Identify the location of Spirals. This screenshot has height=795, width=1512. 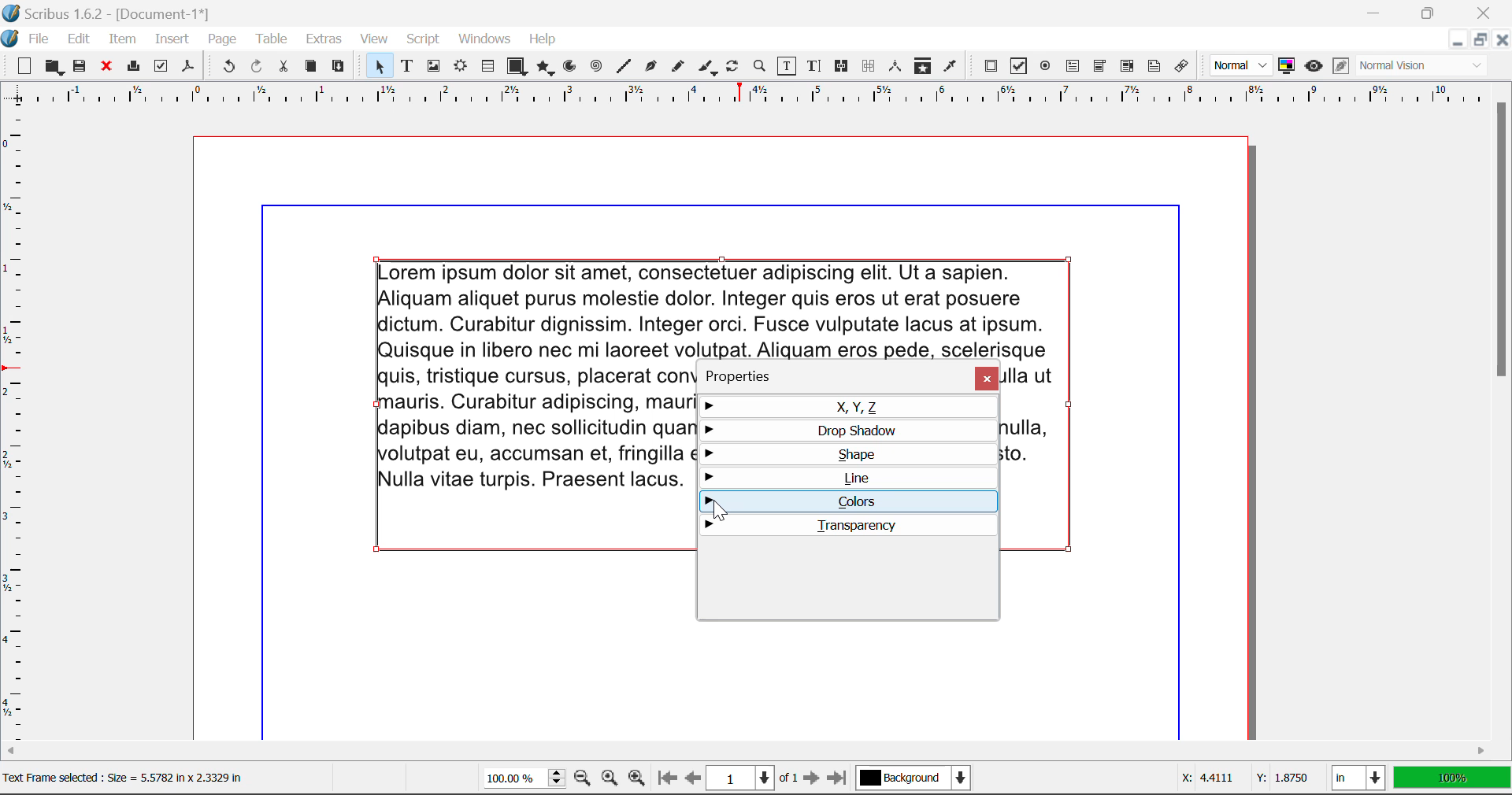
(595, 68).